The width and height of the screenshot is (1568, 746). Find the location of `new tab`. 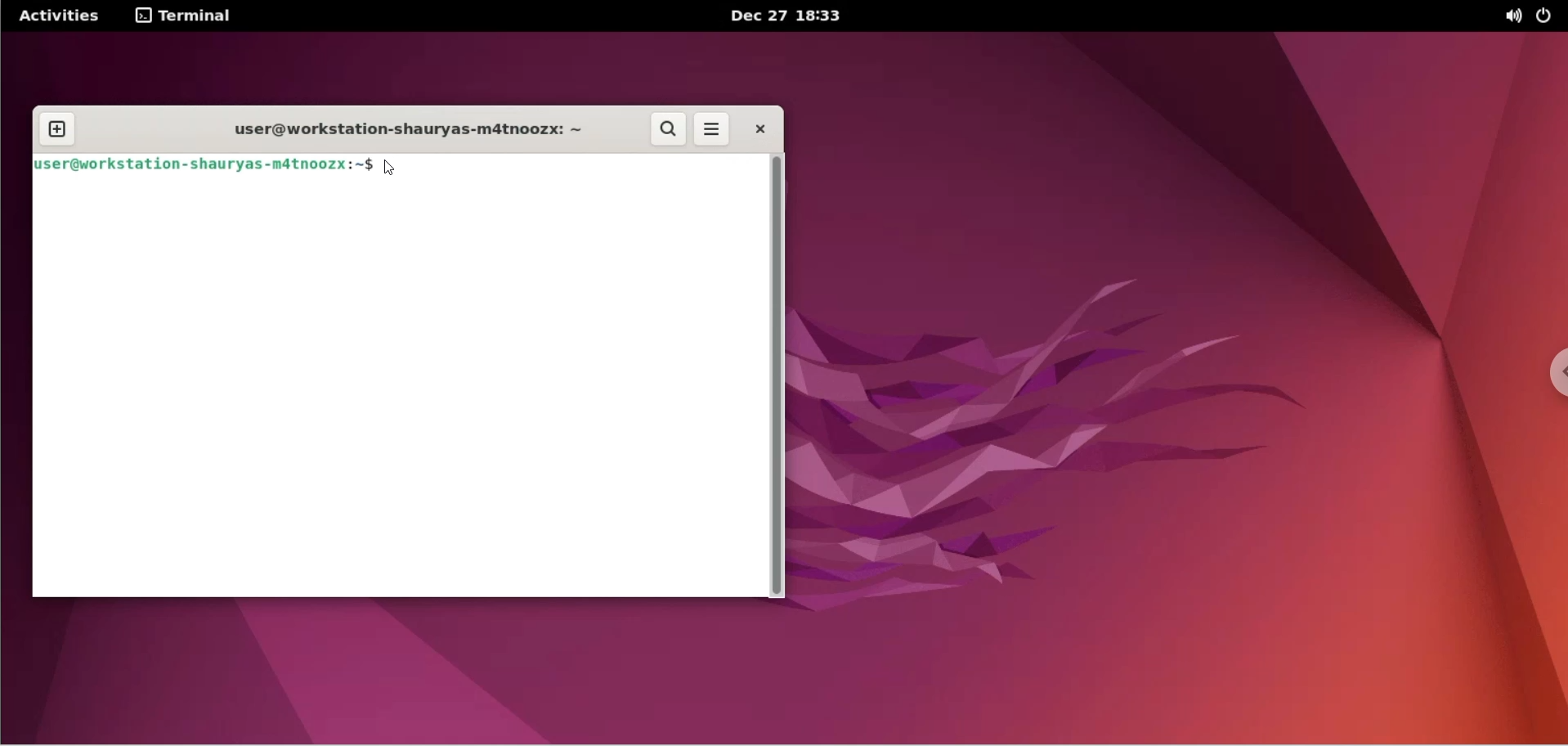

new tab is located at coordinates (56, 128).